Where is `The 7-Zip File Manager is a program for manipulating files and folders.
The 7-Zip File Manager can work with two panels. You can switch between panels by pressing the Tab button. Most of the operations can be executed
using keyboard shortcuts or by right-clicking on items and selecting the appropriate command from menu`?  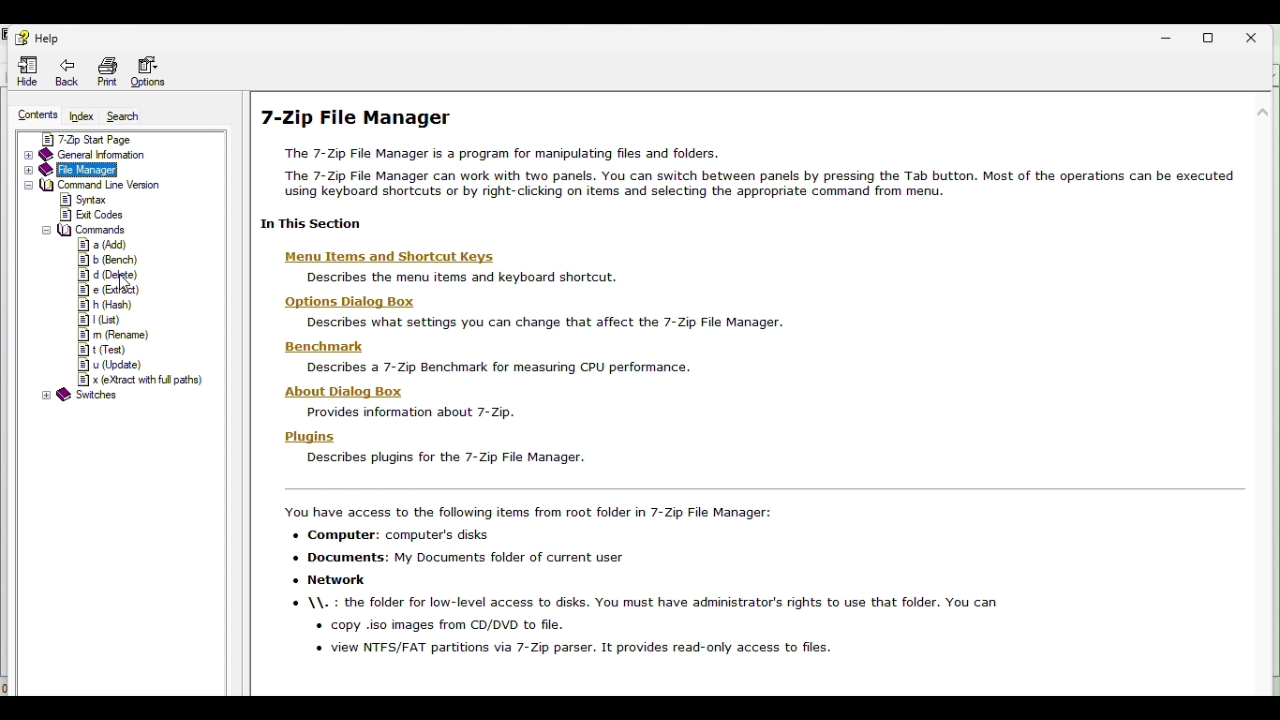
The 7-Zip File Manager is a program for manipulating files and folders.
The 7-Zip File Manager can work with two panels. You can switch between panels by pressing the Tab button. Most of the operations can be executed
using keyboard shortcuts or by right-clicking on items and selecting the appropriate command from menu is located at coordinates (754, 175).